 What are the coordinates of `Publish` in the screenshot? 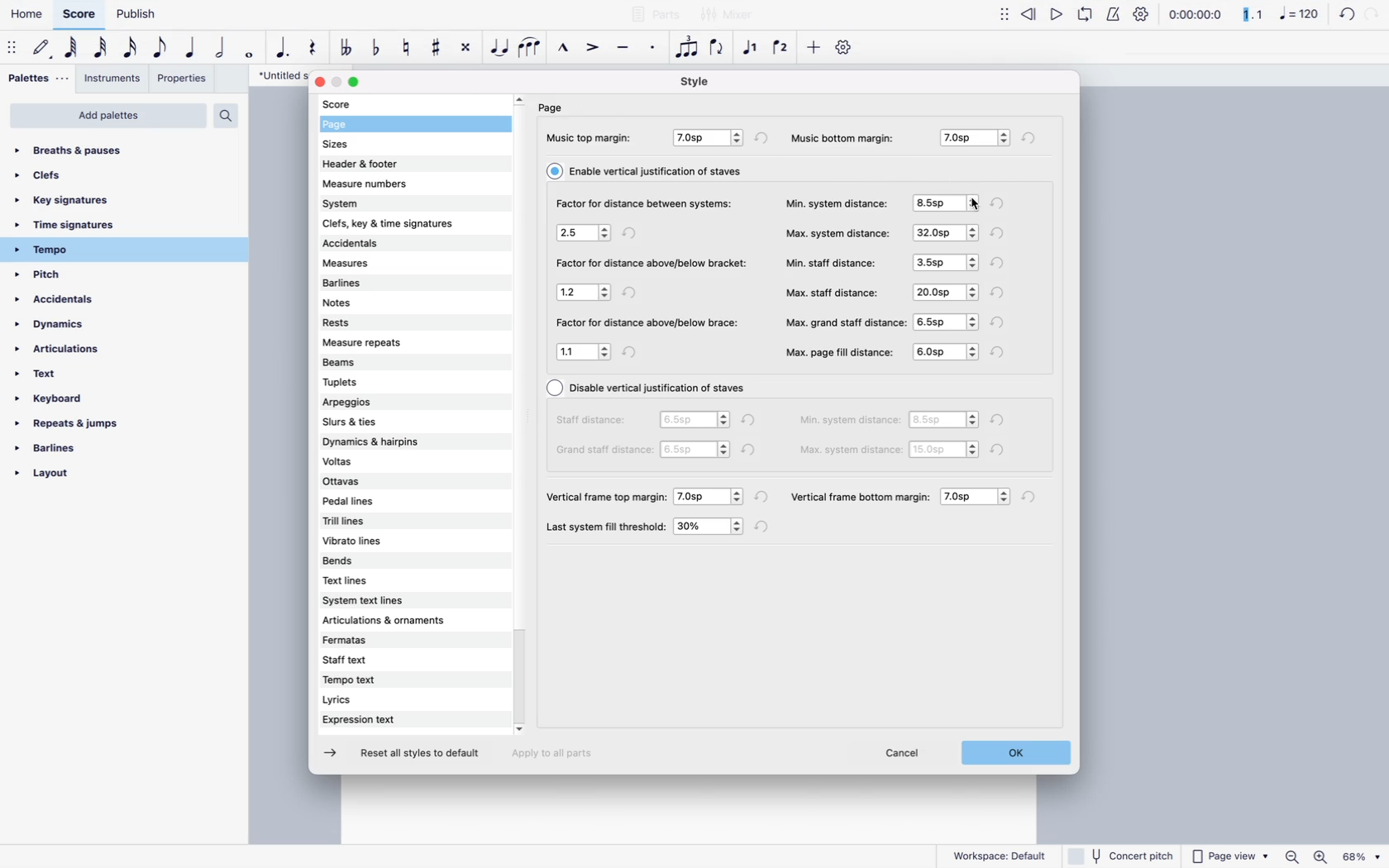 It's located at (135, 14).